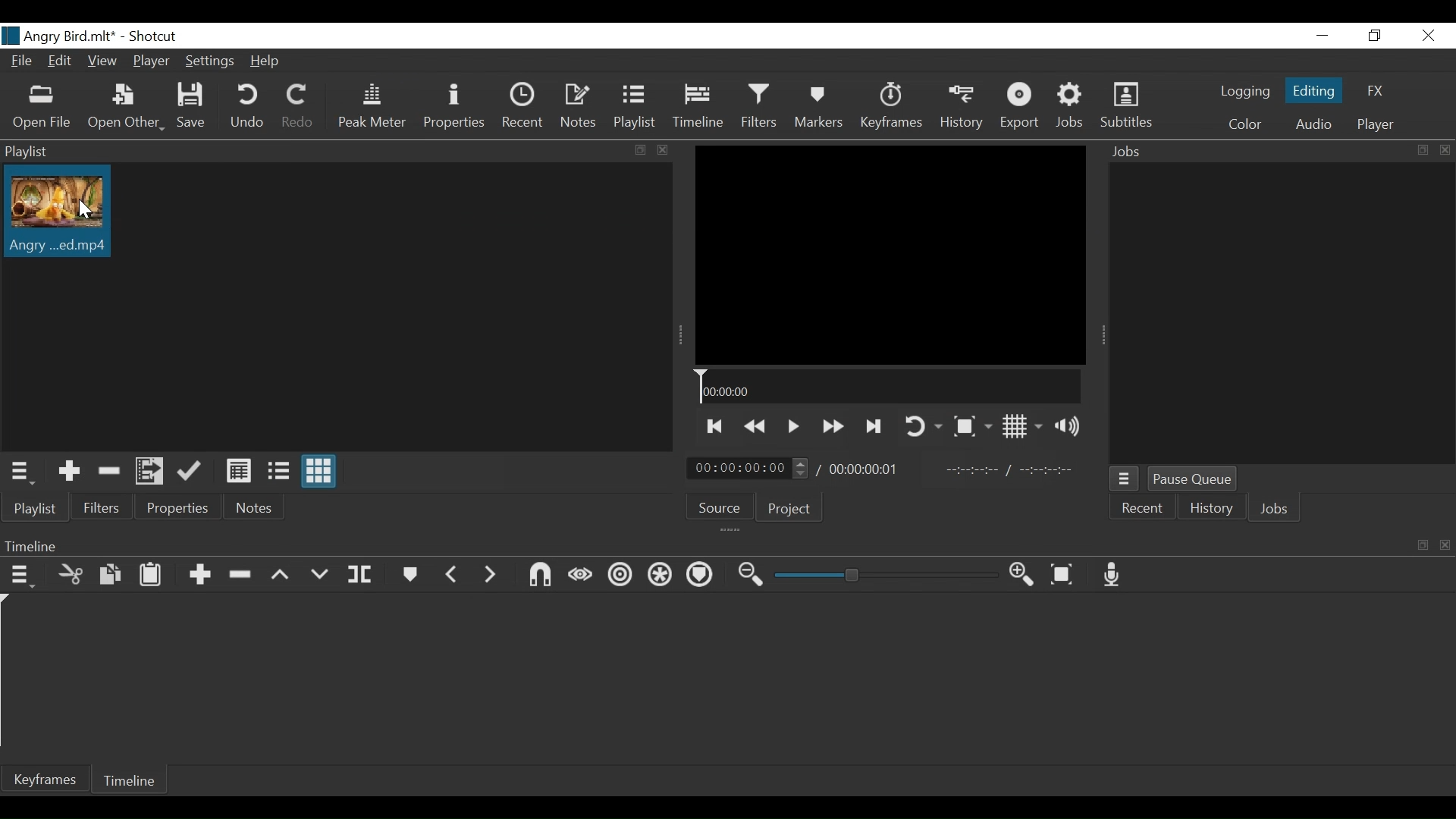 This screenshot has height=819, width=1456. I want to click on Skip to the next point, so click(872, 428).